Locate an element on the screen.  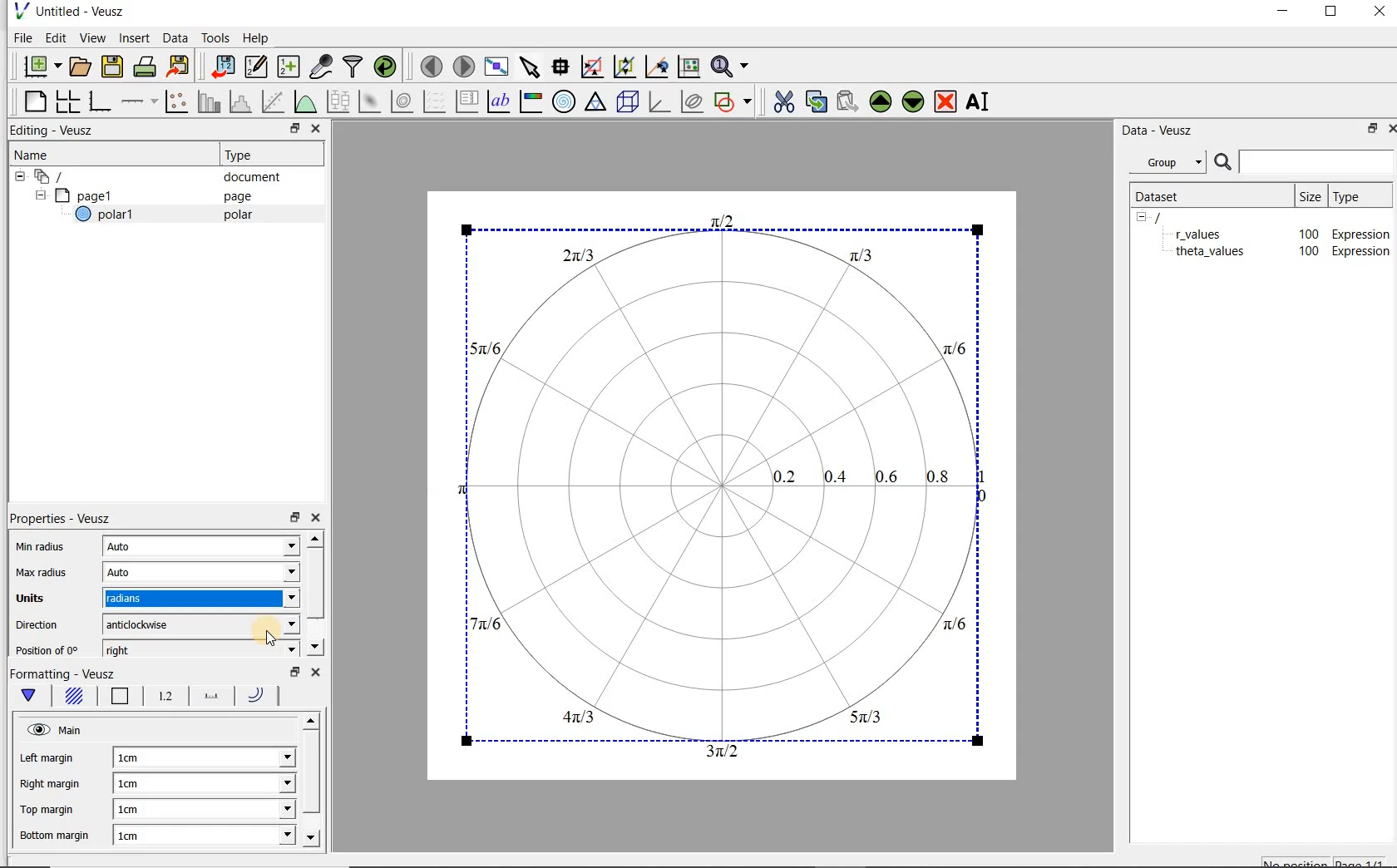
move to the next page is located at coordinates (464, 67).